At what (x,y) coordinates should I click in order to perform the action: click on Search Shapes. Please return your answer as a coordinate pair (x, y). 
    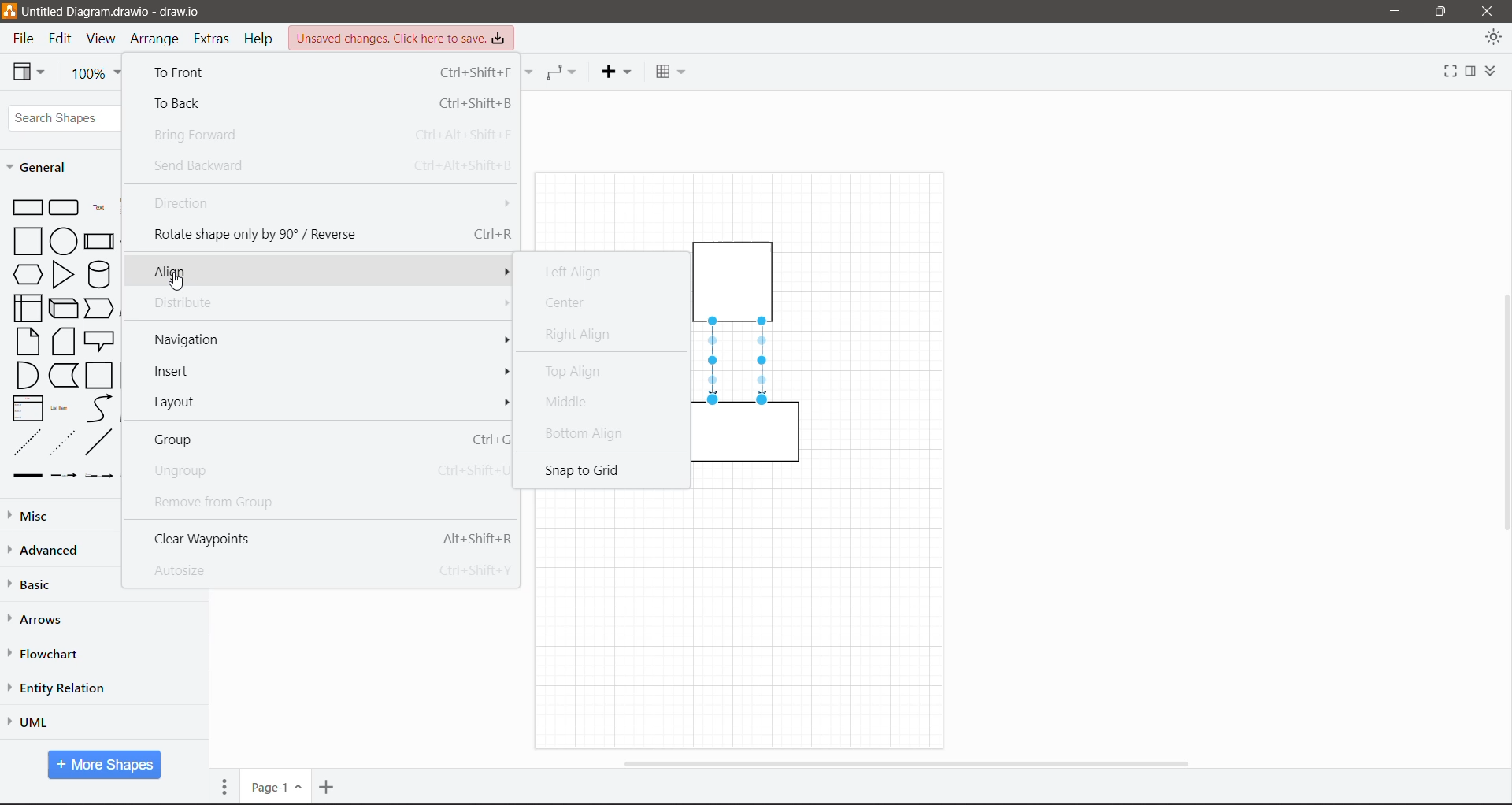
    Looking at the image, I should click on (66, 118).